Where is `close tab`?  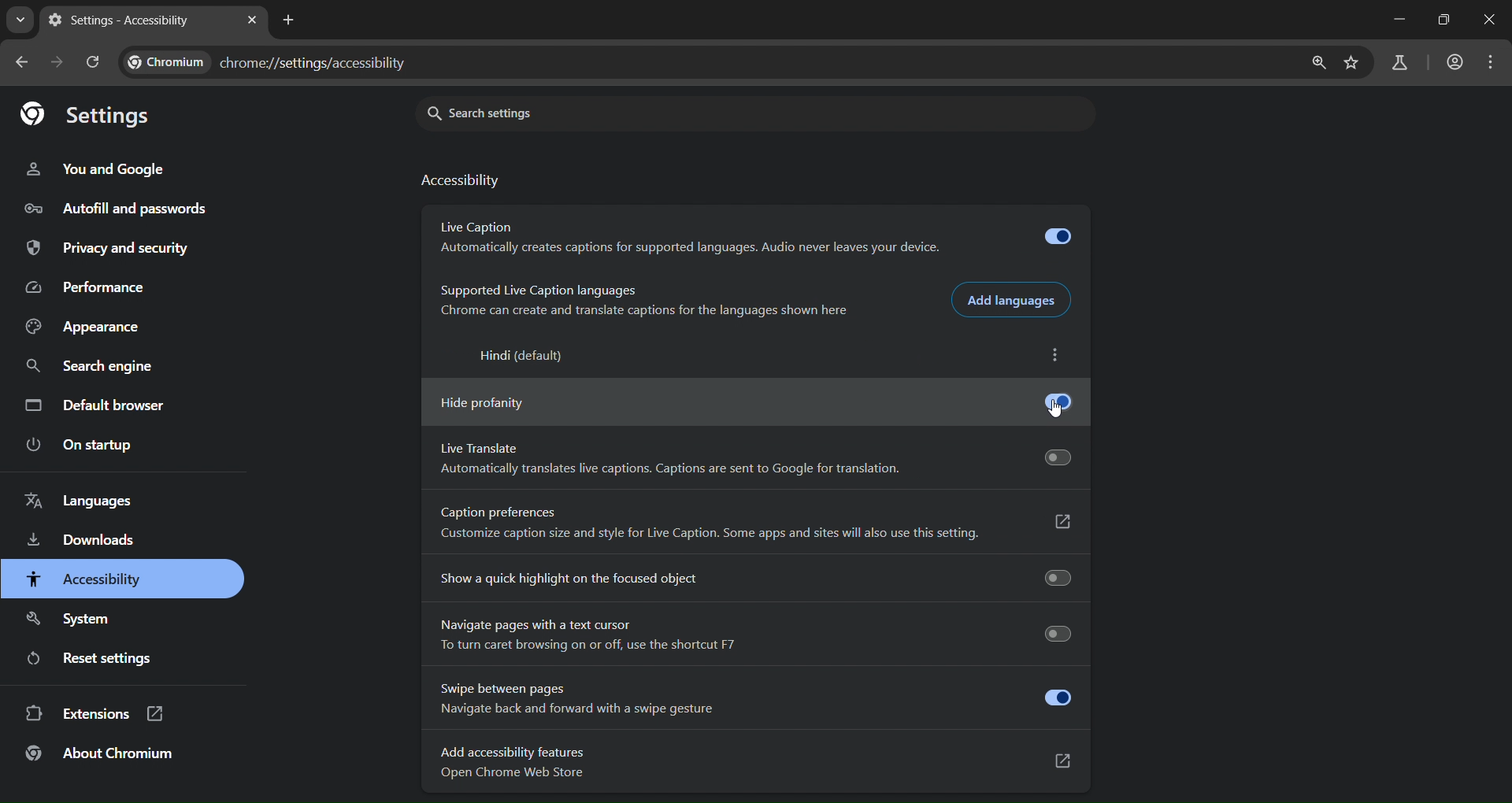 close tab is located at coordinates (253, 19).